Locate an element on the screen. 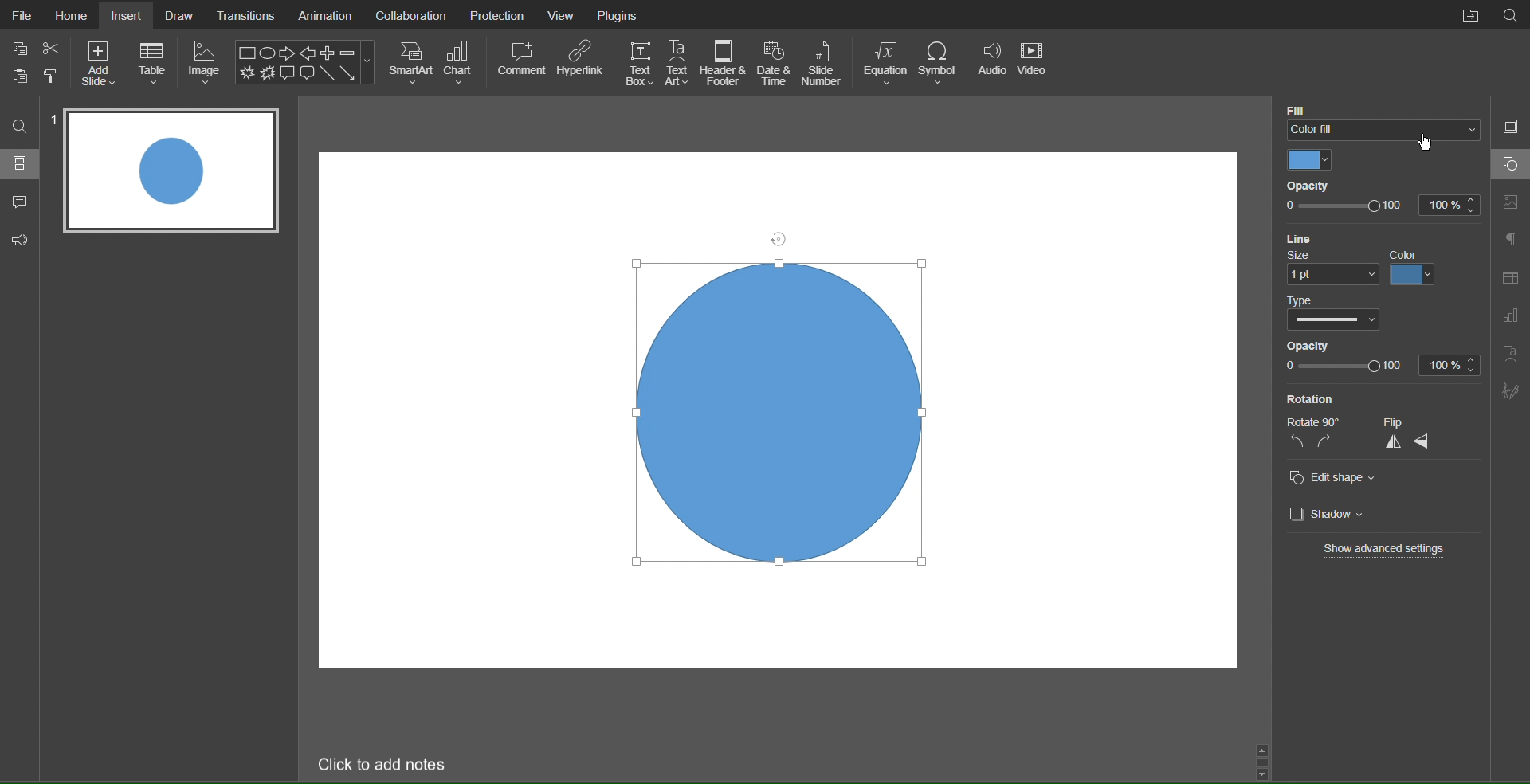 The image size is (1530, 784). Table Settings is located at coordinates (1509, 275).